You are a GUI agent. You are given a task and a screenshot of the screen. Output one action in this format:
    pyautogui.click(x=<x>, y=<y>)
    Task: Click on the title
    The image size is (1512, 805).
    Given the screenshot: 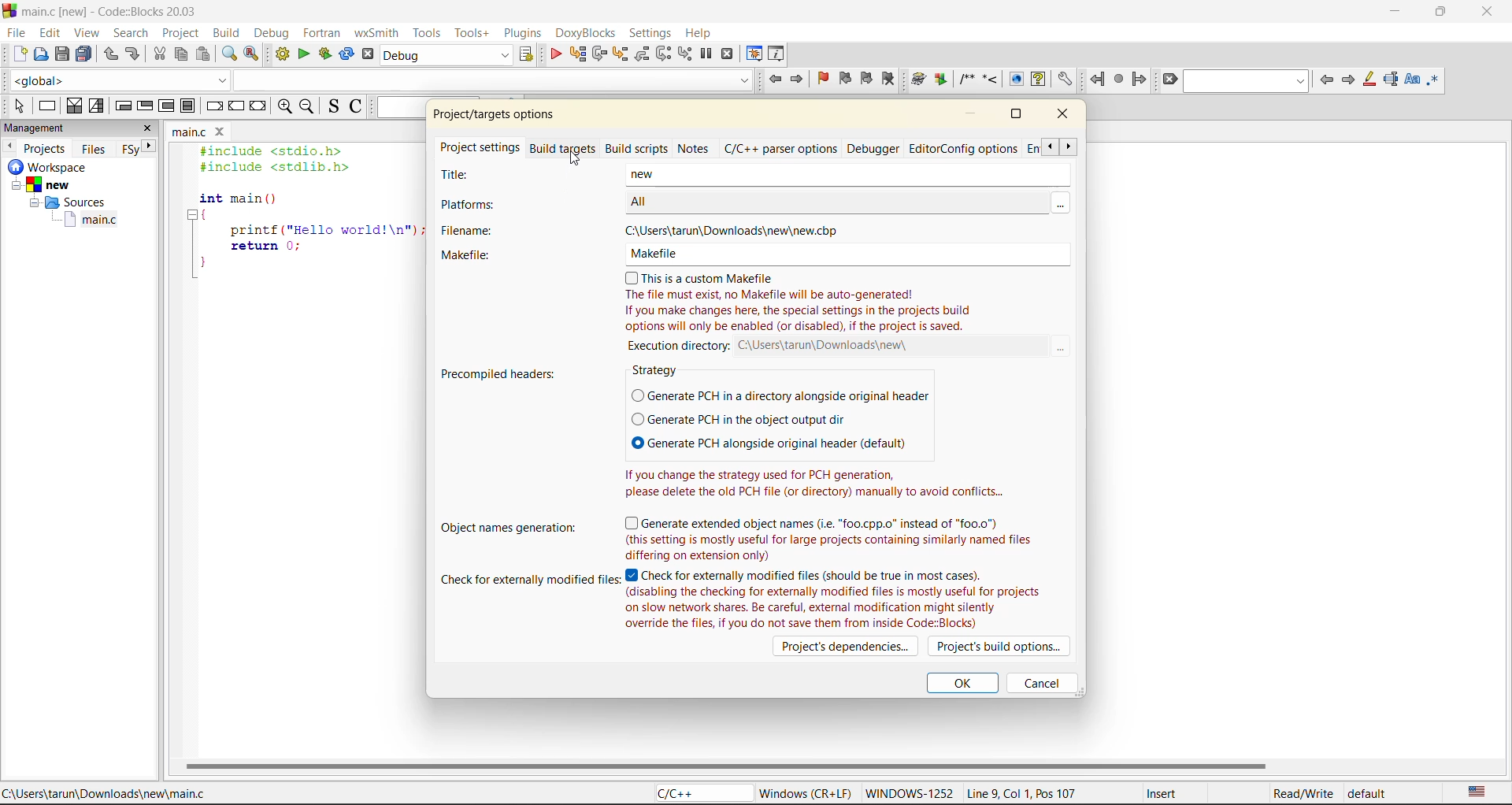 What is the action you would take?
    pyautogui.click(x=468, y=179)
    